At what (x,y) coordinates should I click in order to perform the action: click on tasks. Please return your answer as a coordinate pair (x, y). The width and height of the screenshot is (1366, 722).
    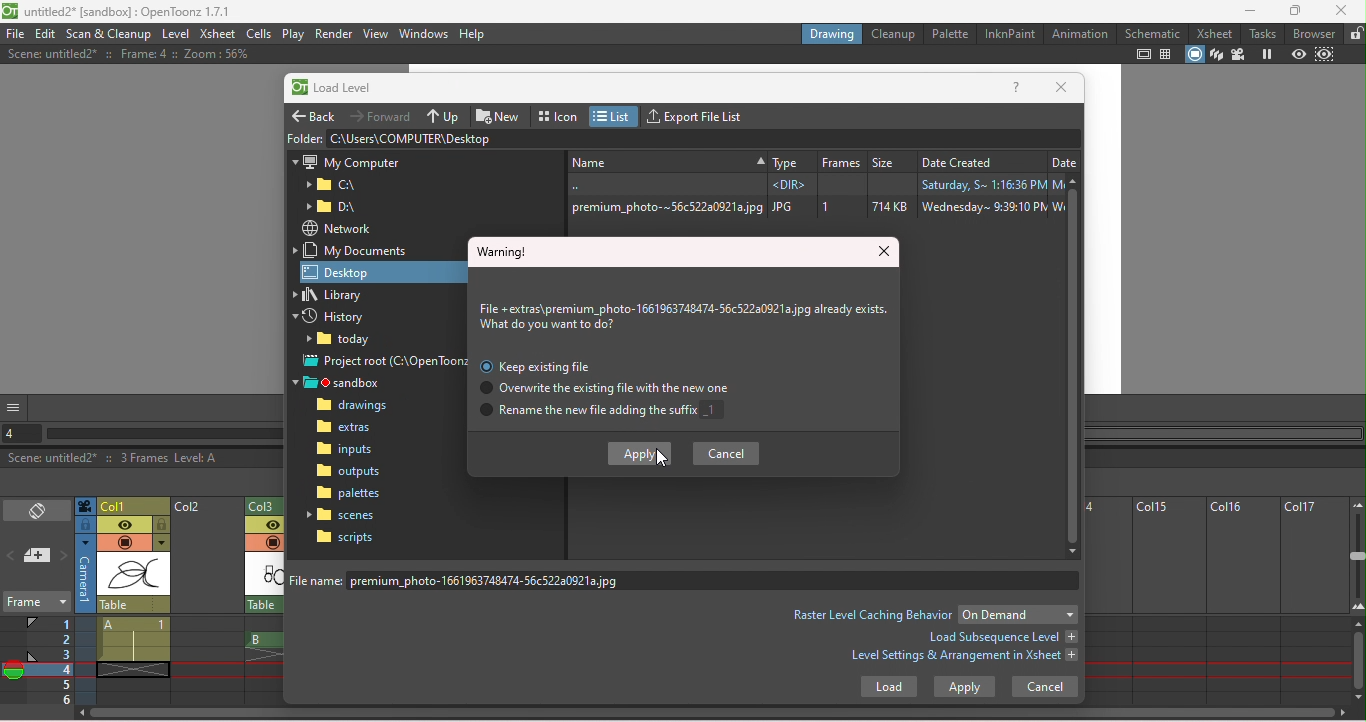
    Looking at the image, I should click on (1265, 33).